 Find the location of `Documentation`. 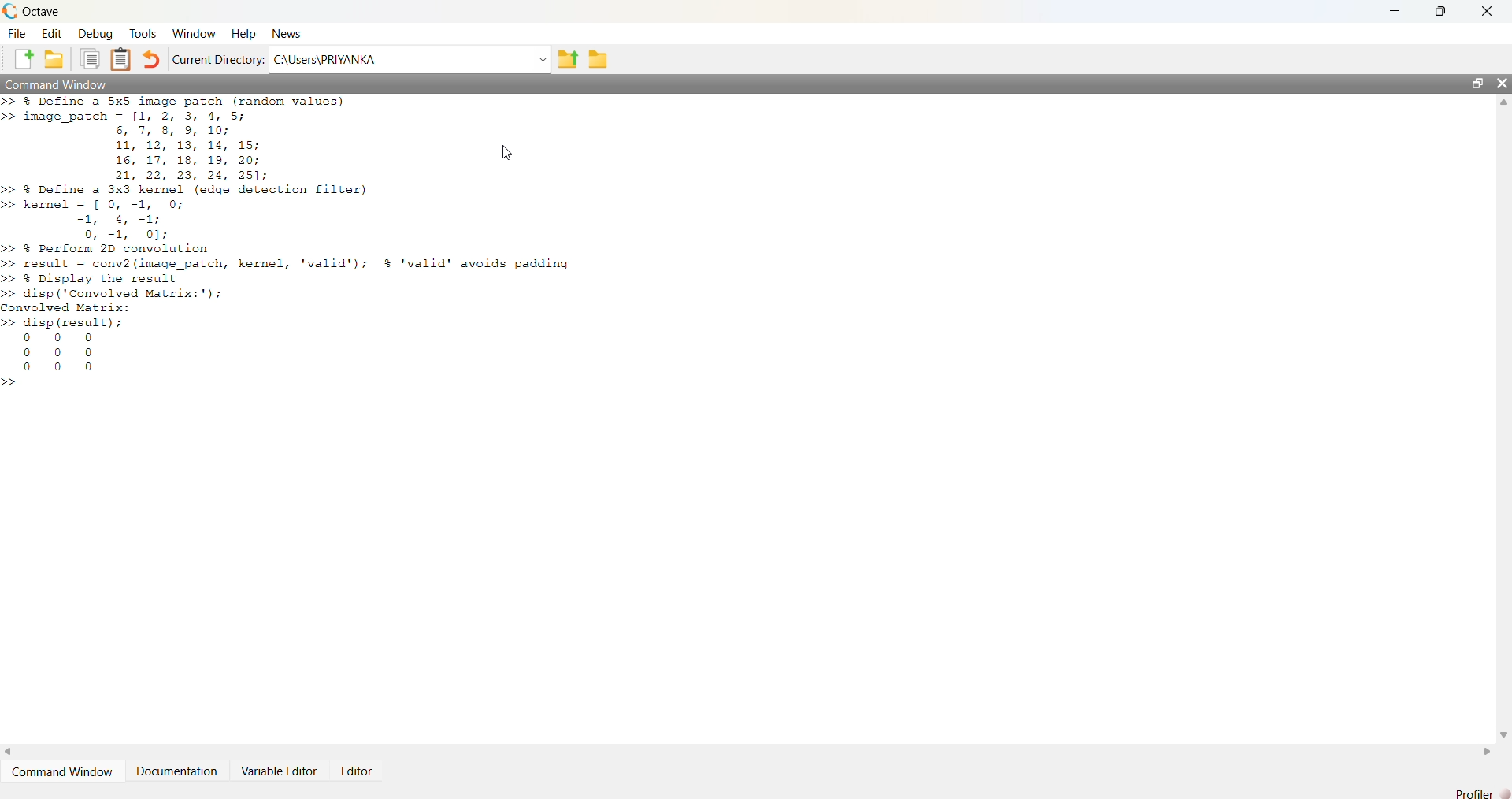

Documentation is located at coordinates (182, 769).